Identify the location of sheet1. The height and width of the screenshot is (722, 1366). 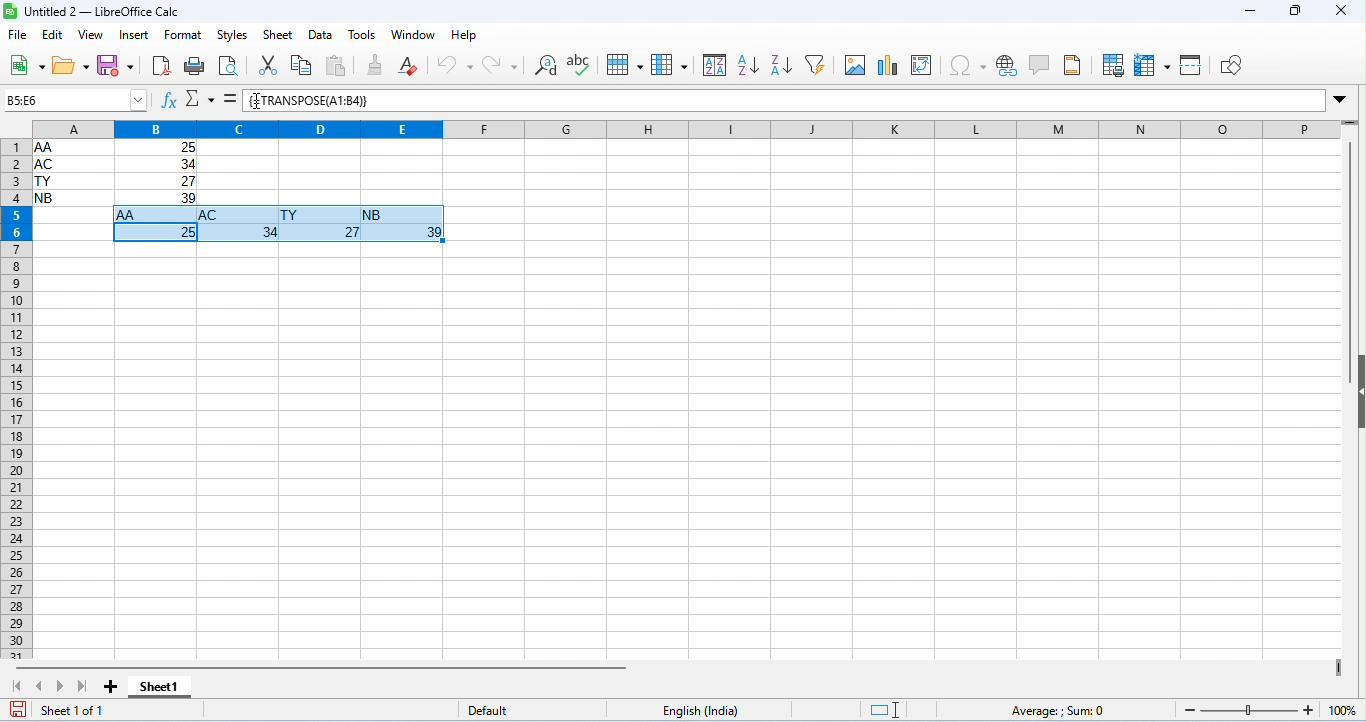
(172, 689).